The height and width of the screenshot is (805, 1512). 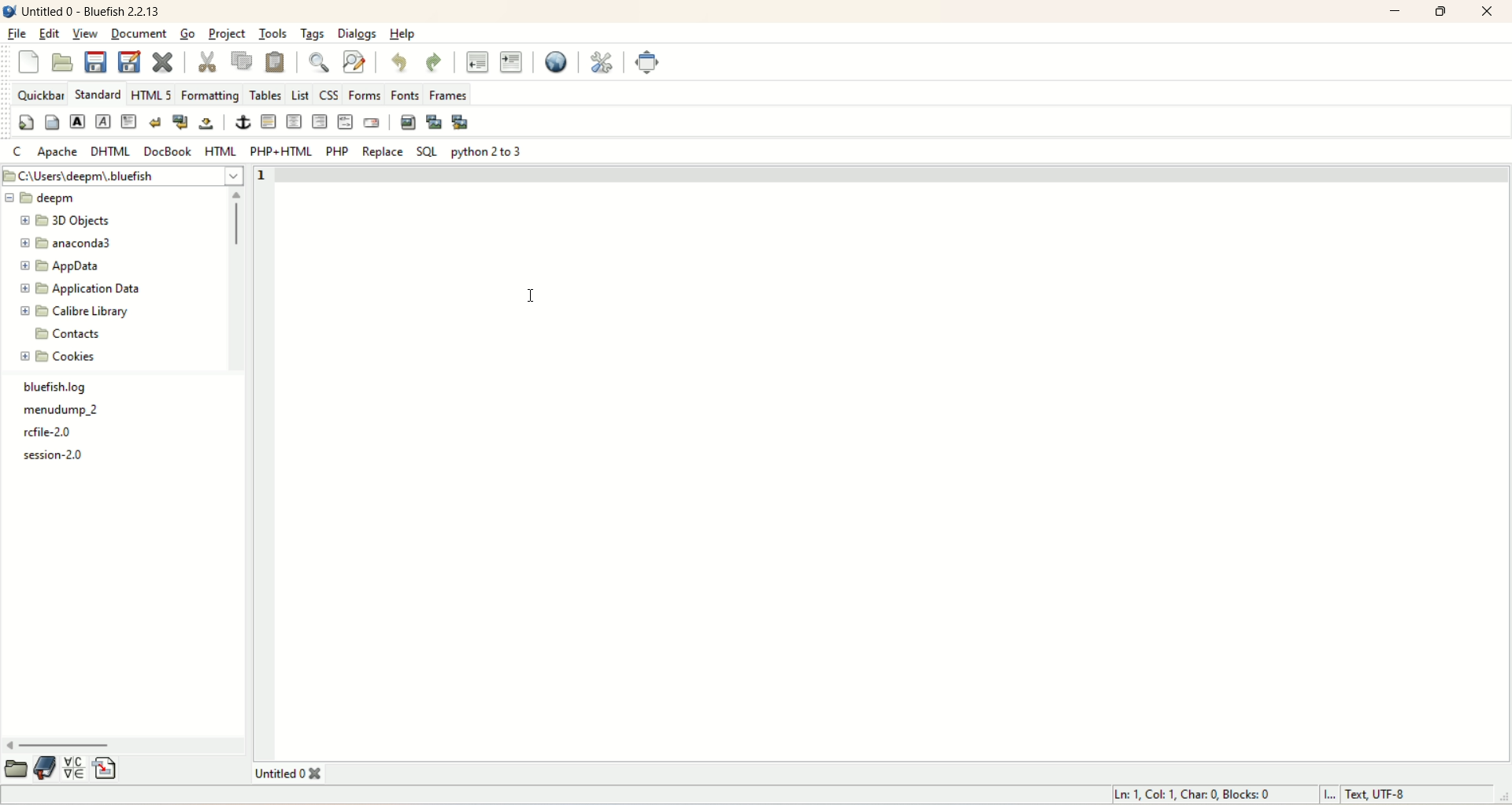 I want to click on break, so click(x=157, y=121).